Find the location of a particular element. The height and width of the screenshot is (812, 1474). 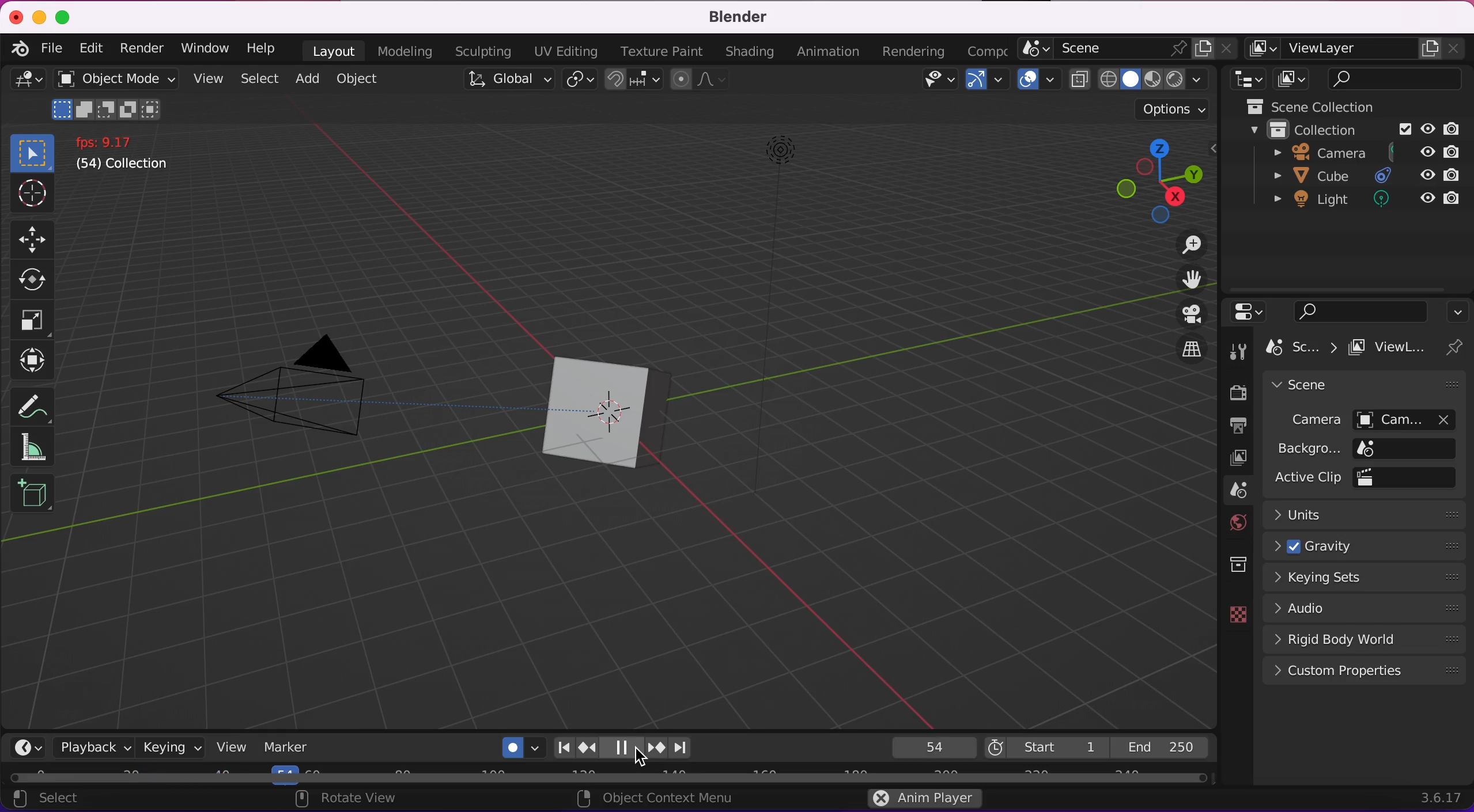

modeling is located at coordinates (408, 51).